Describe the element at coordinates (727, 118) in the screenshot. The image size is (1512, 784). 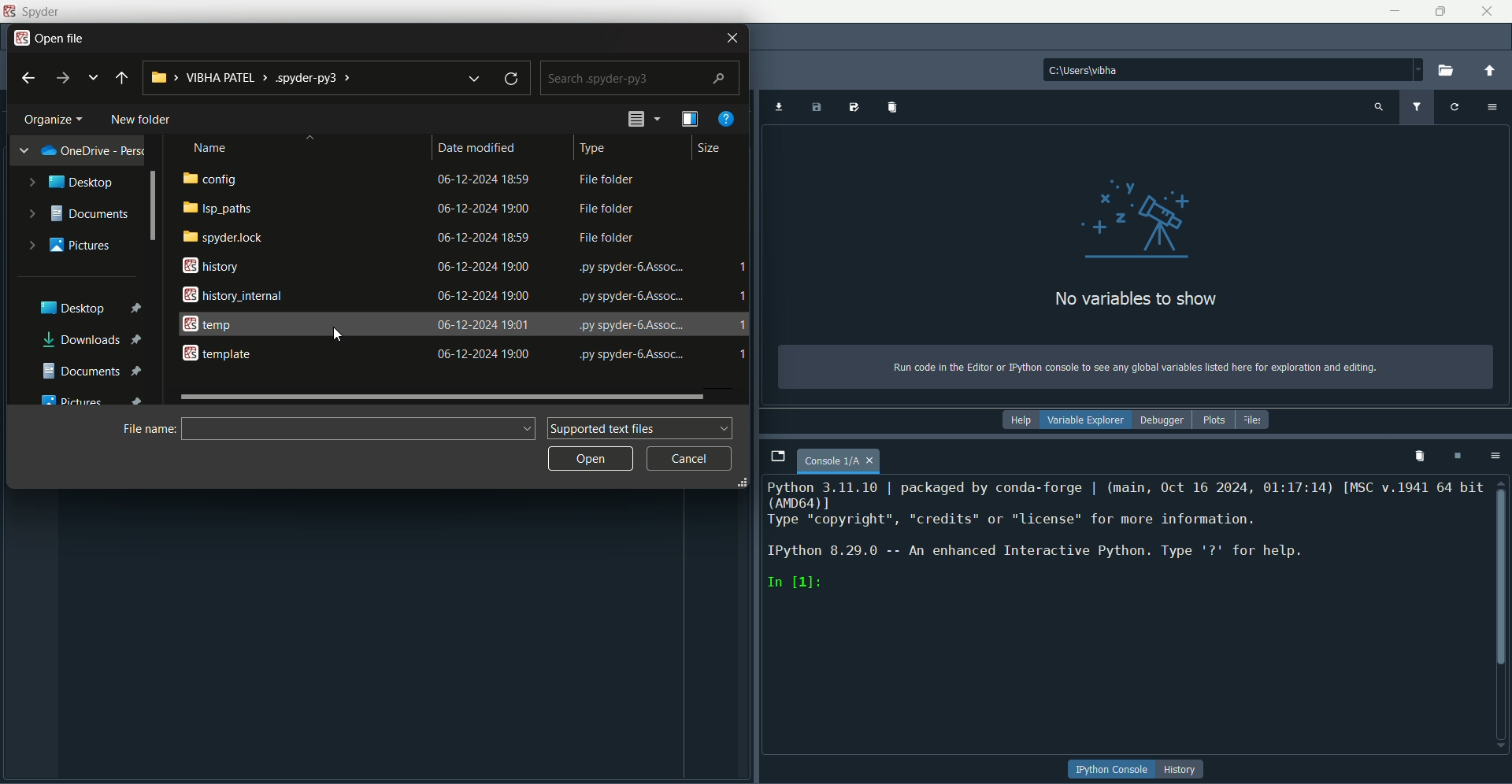
I see `get help` at that location.